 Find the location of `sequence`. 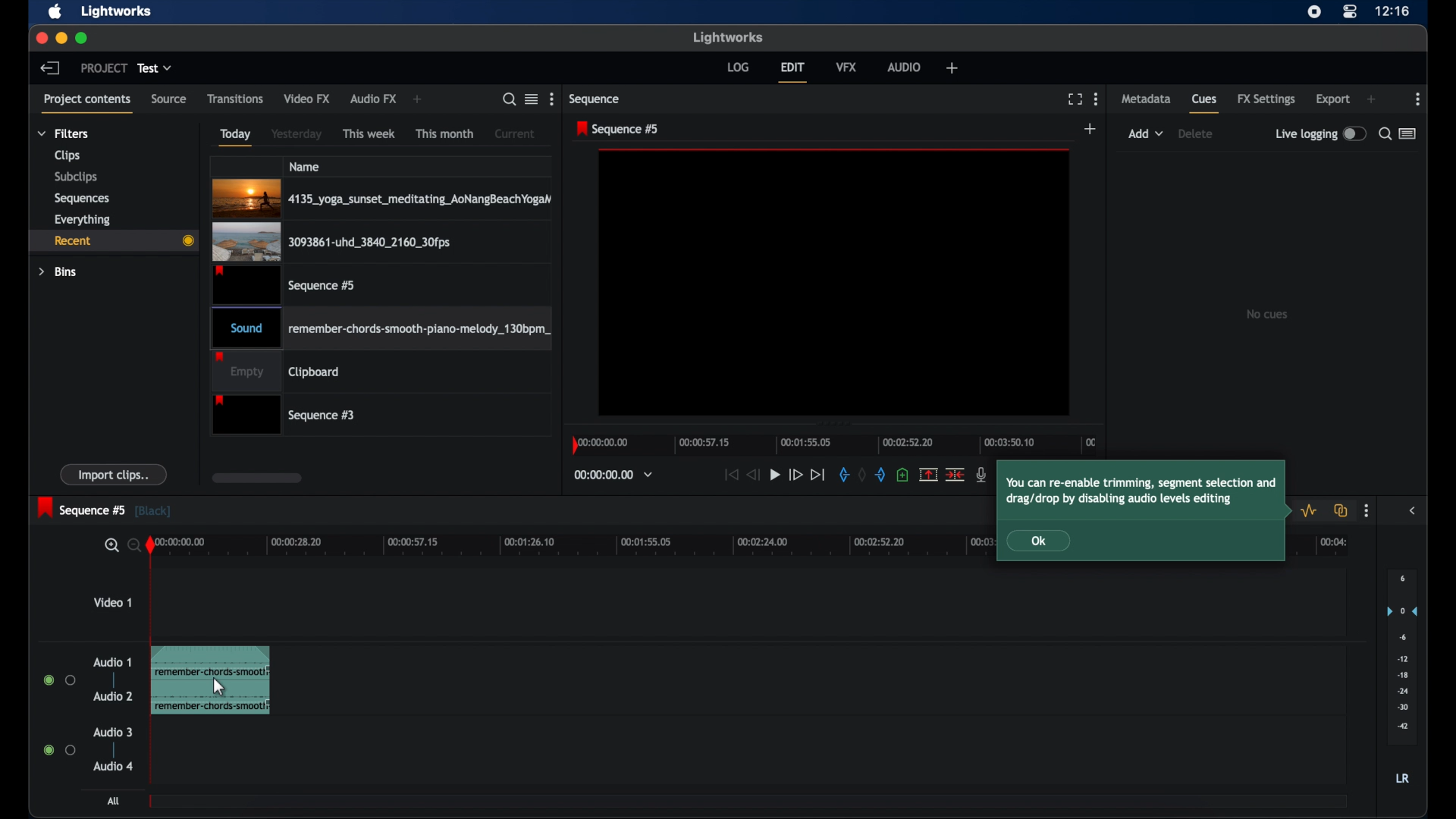

sequence is located at coordinates (597, 99).